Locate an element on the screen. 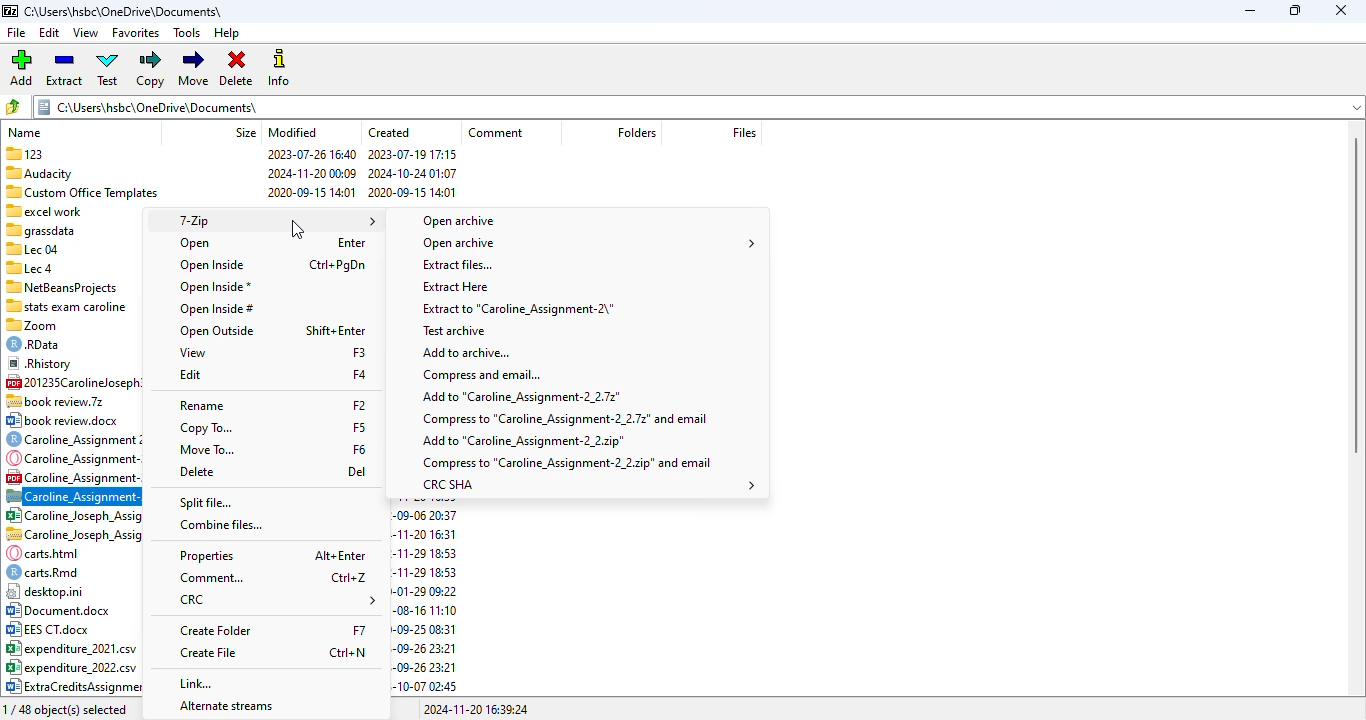  shortcut for properties is located at coordinates (341, 554).